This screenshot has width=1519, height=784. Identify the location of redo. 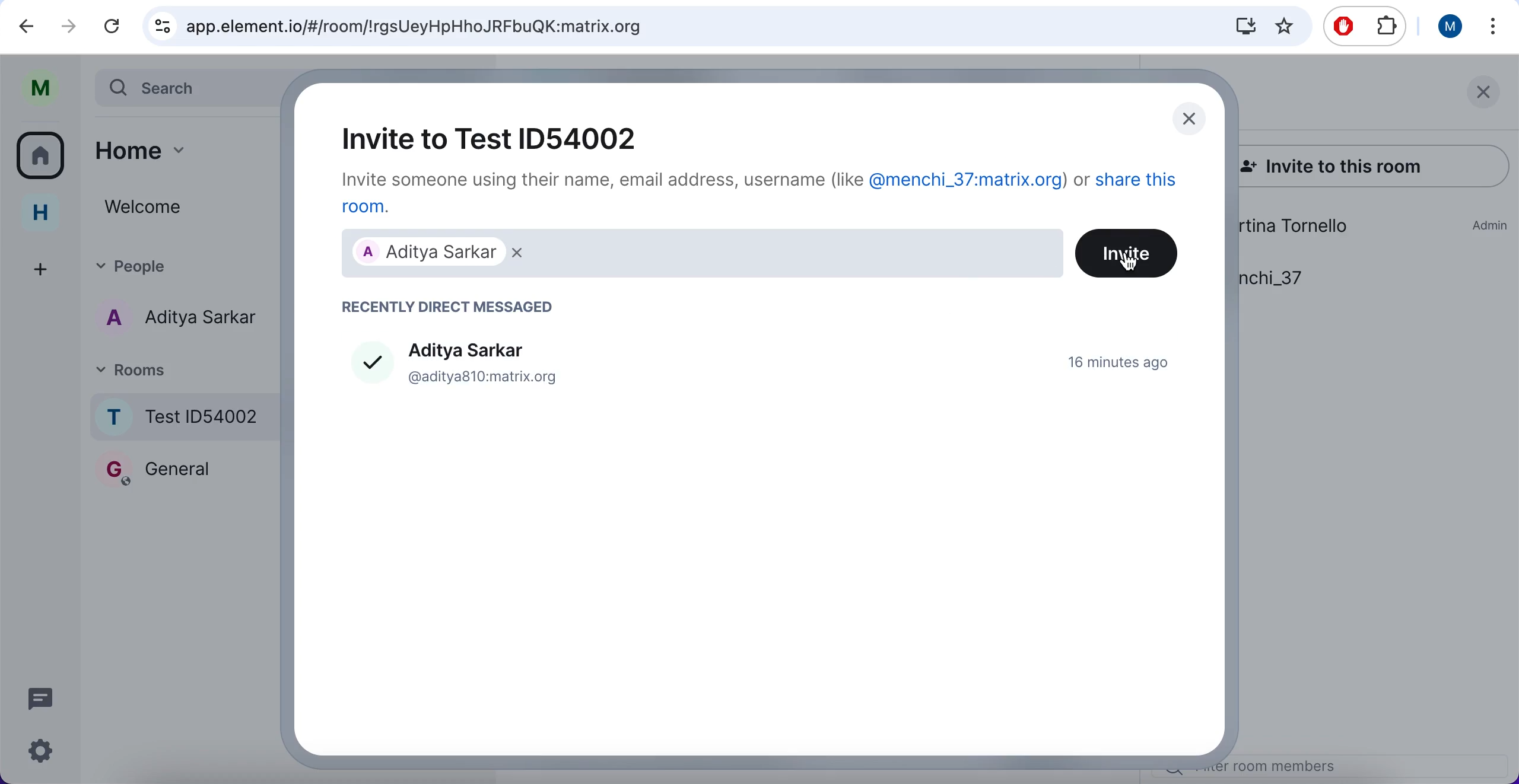
(68, 26).